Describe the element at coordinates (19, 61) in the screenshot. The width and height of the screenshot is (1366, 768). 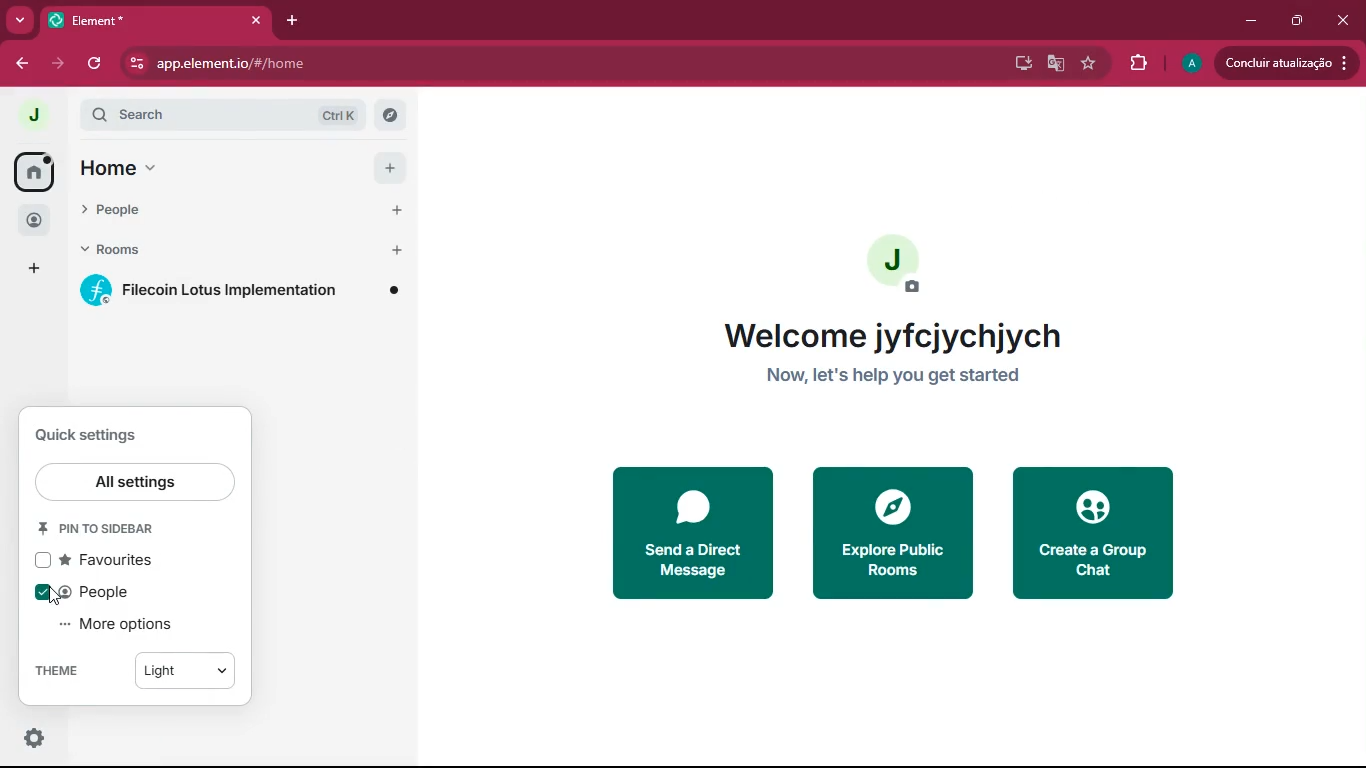
I see `back` at that location.